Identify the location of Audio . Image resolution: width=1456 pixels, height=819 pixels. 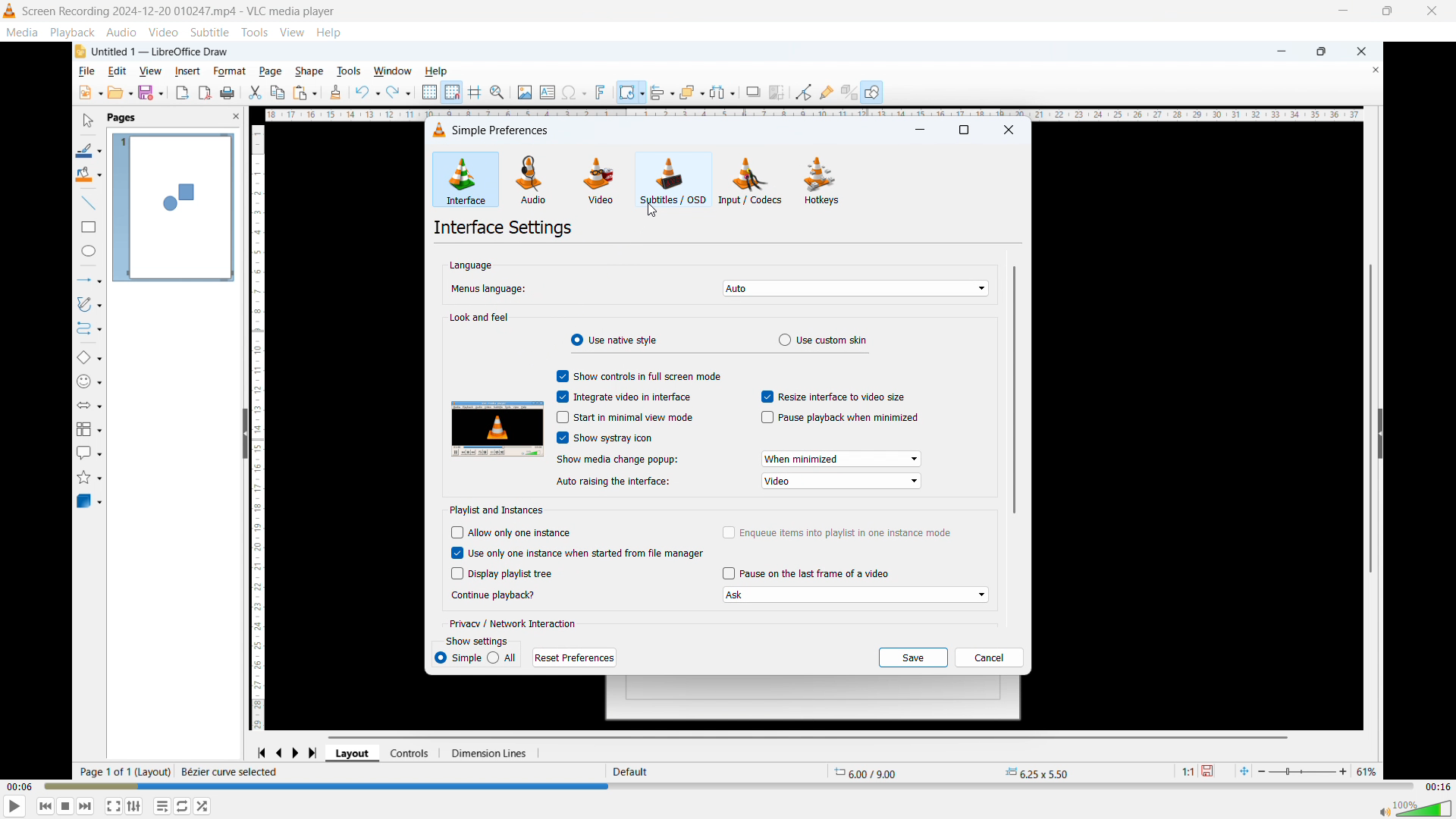
(121, 33).